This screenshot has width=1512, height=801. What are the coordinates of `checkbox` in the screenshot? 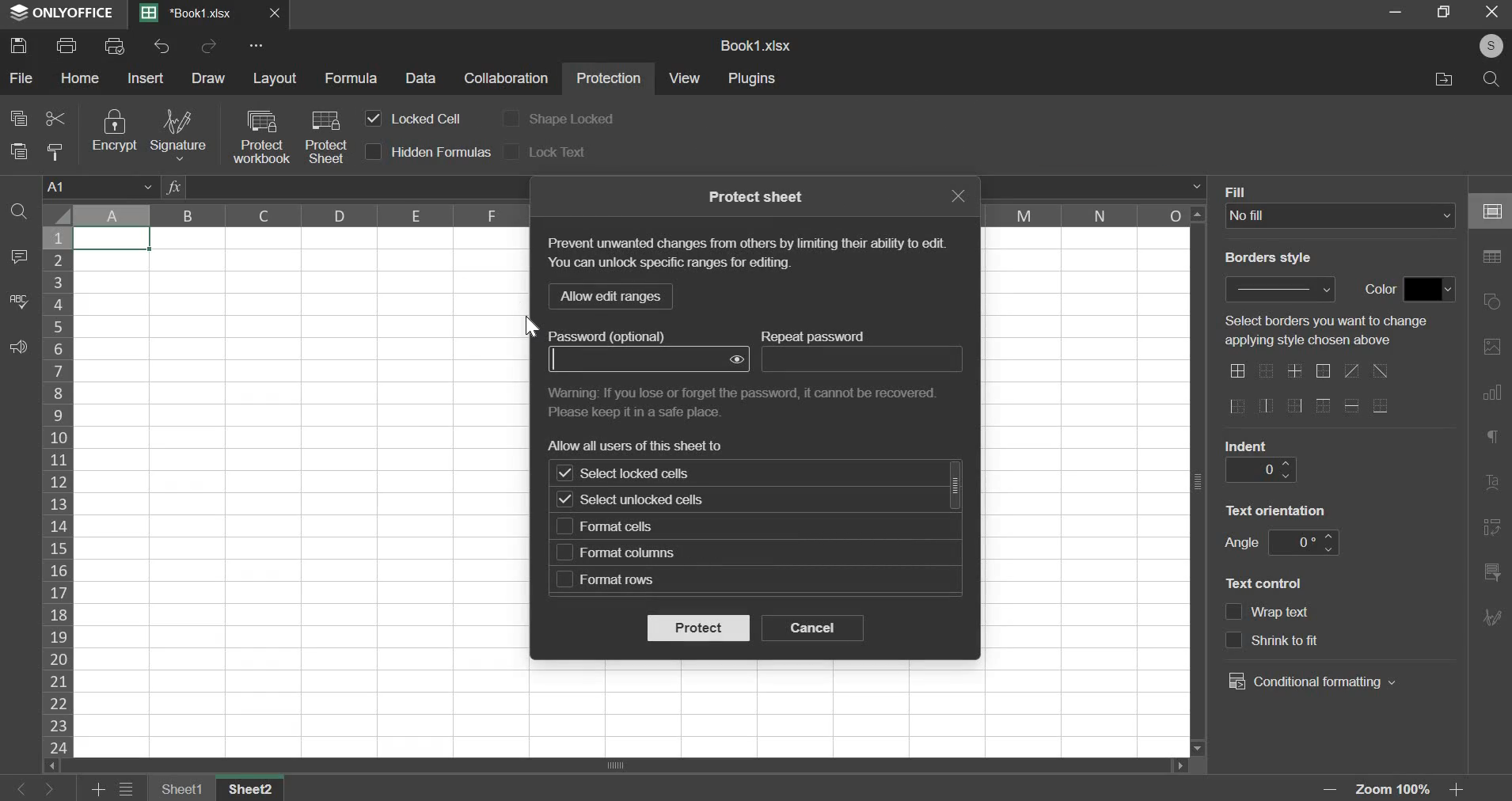 It's located at (374, 119).